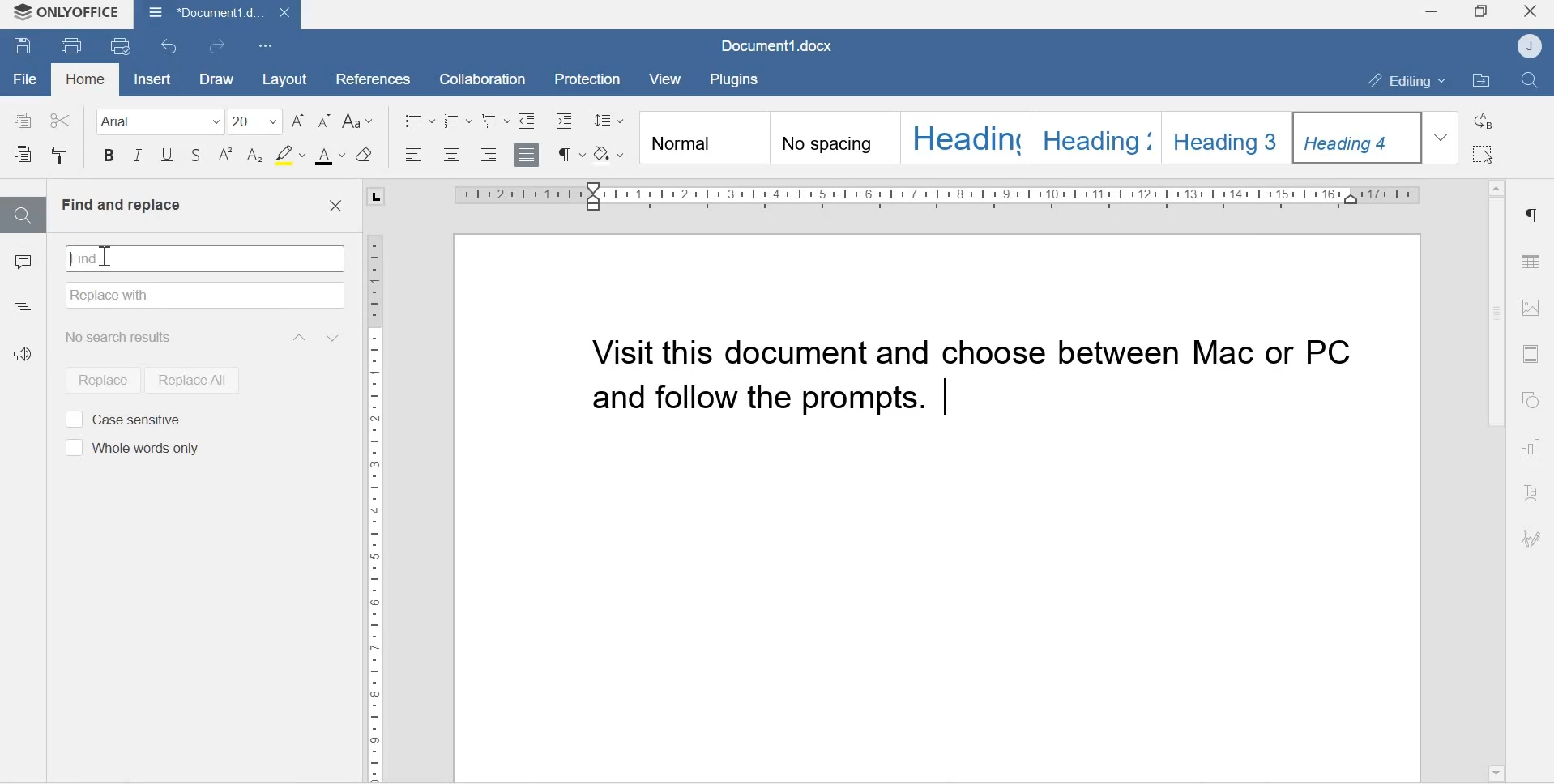  What do you see at coordinates (226, 156) in the screenshot?
I see `Superscript` at bounding box center [226, 156].